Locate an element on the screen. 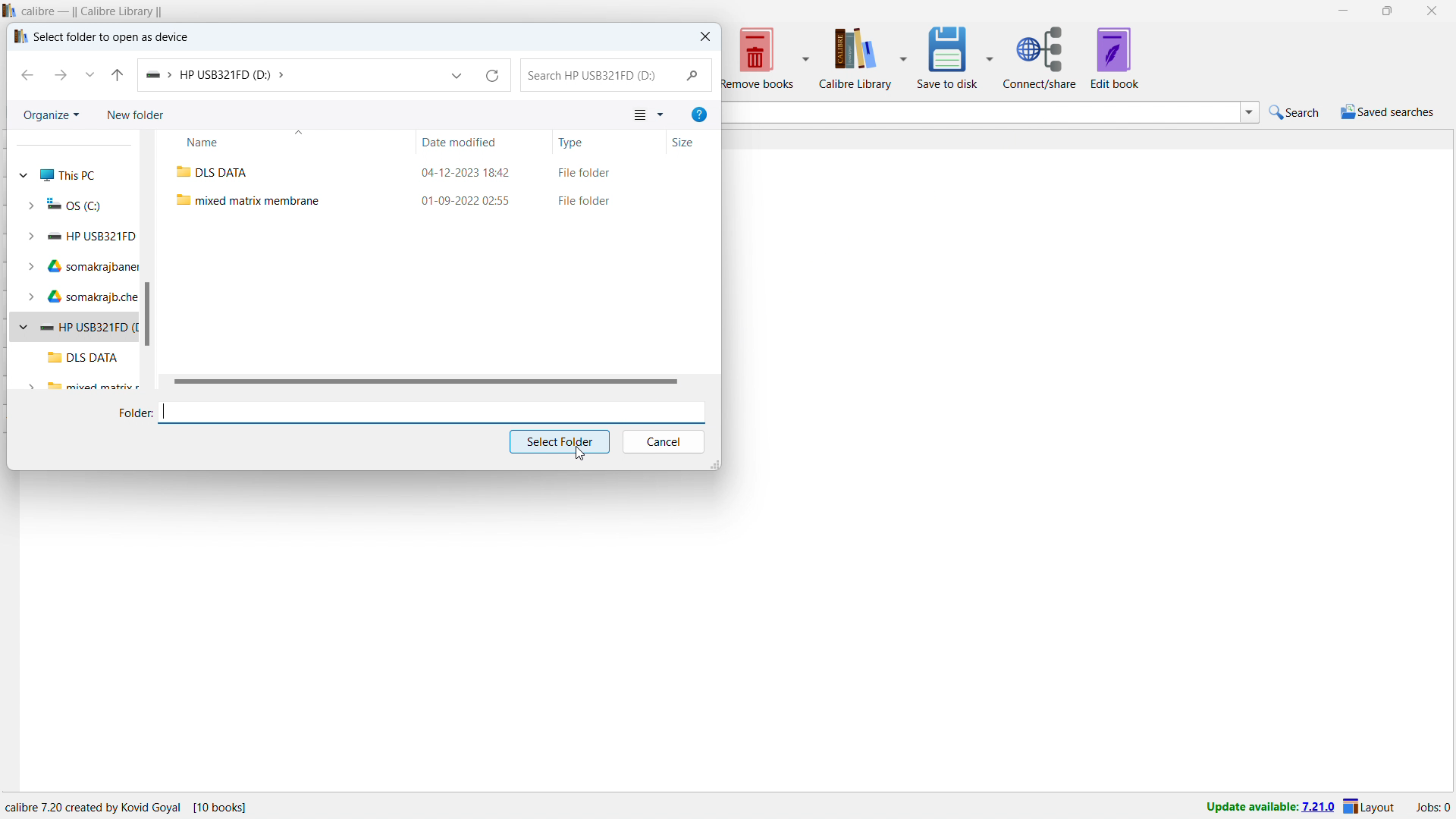  organize is located at coordinates (51, 116).